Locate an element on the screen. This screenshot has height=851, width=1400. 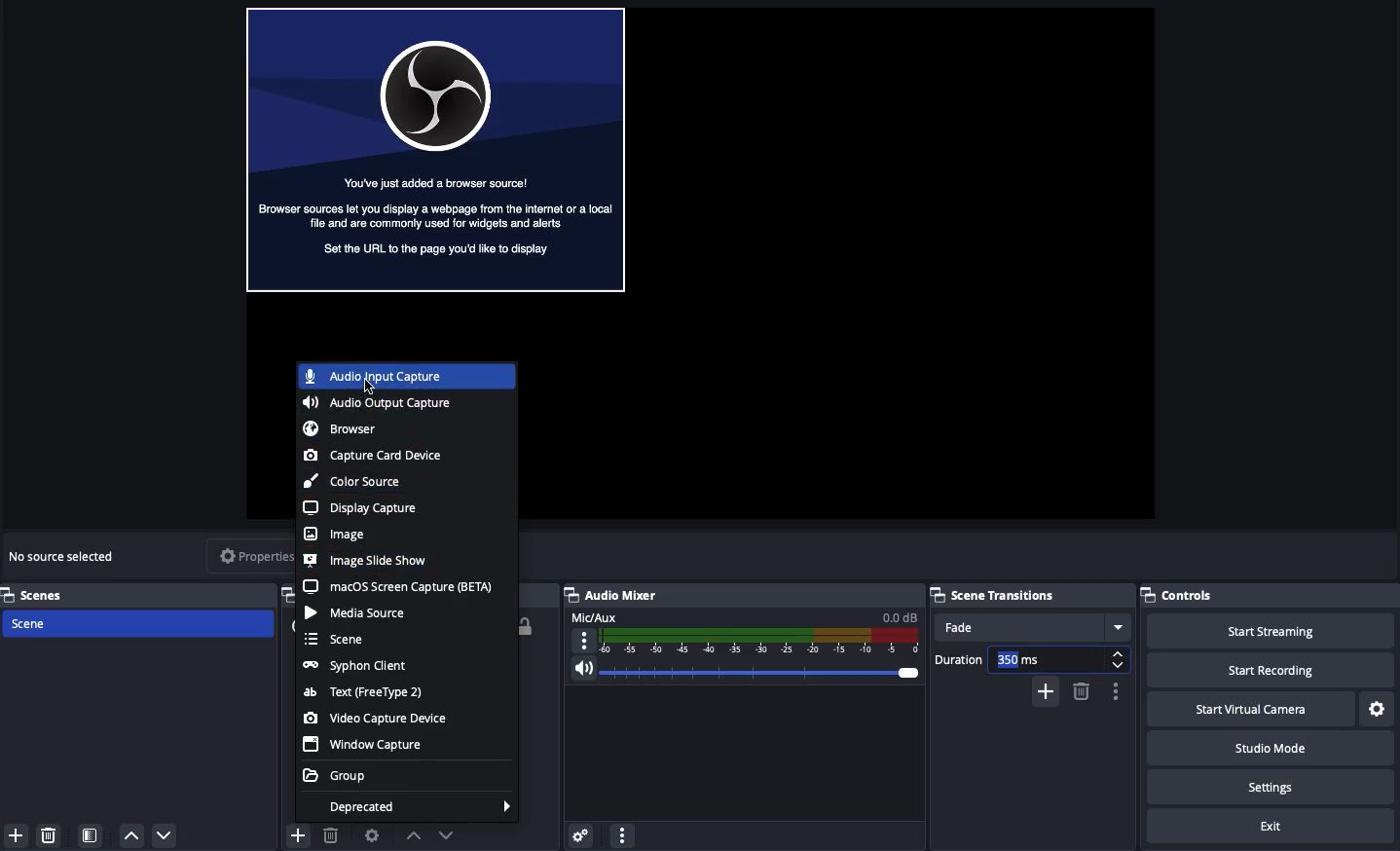
Settings is located at coordinates (577, 834).